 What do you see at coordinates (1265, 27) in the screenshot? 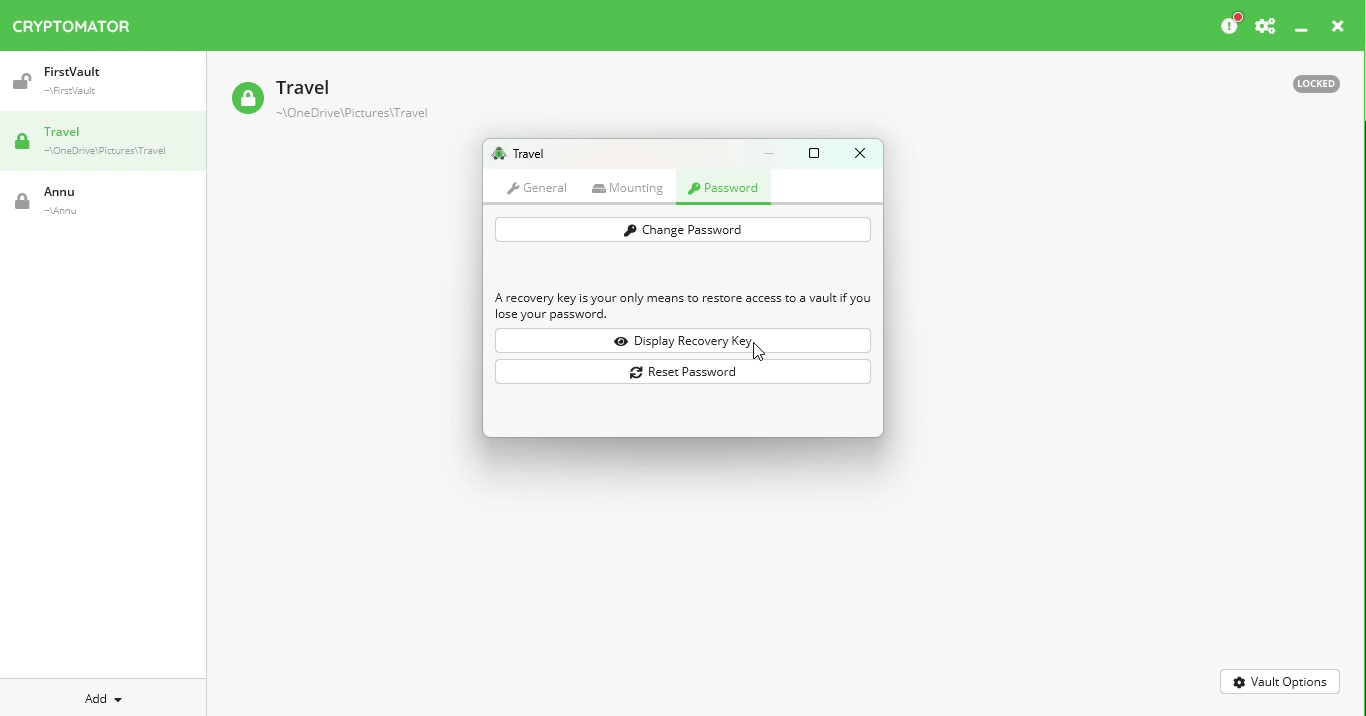
I see `Preferences` at bounding box center [1265, 27].